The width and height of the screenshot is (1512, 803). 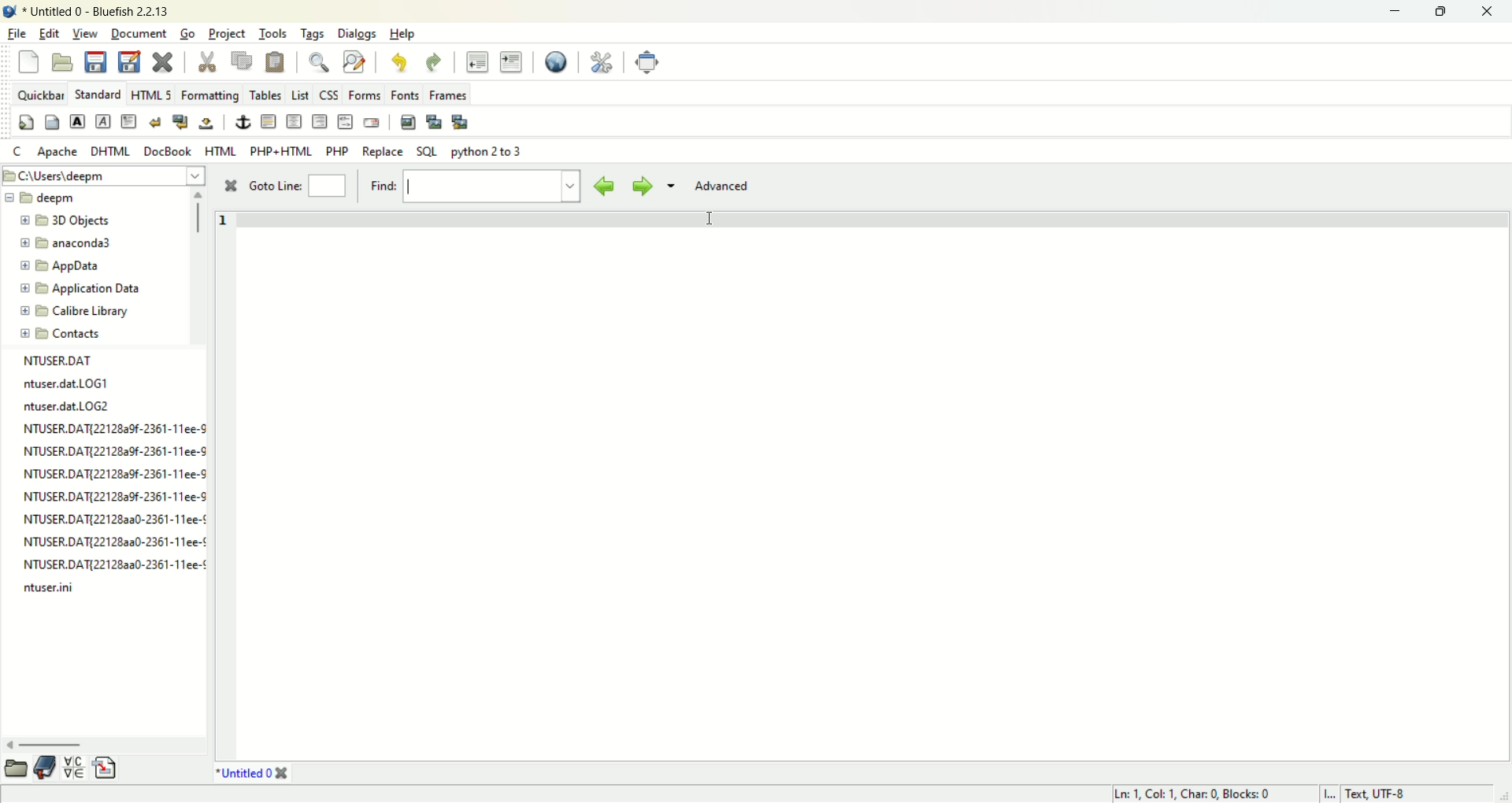 I want to click on HTML comment, so click(x=345, y=122).